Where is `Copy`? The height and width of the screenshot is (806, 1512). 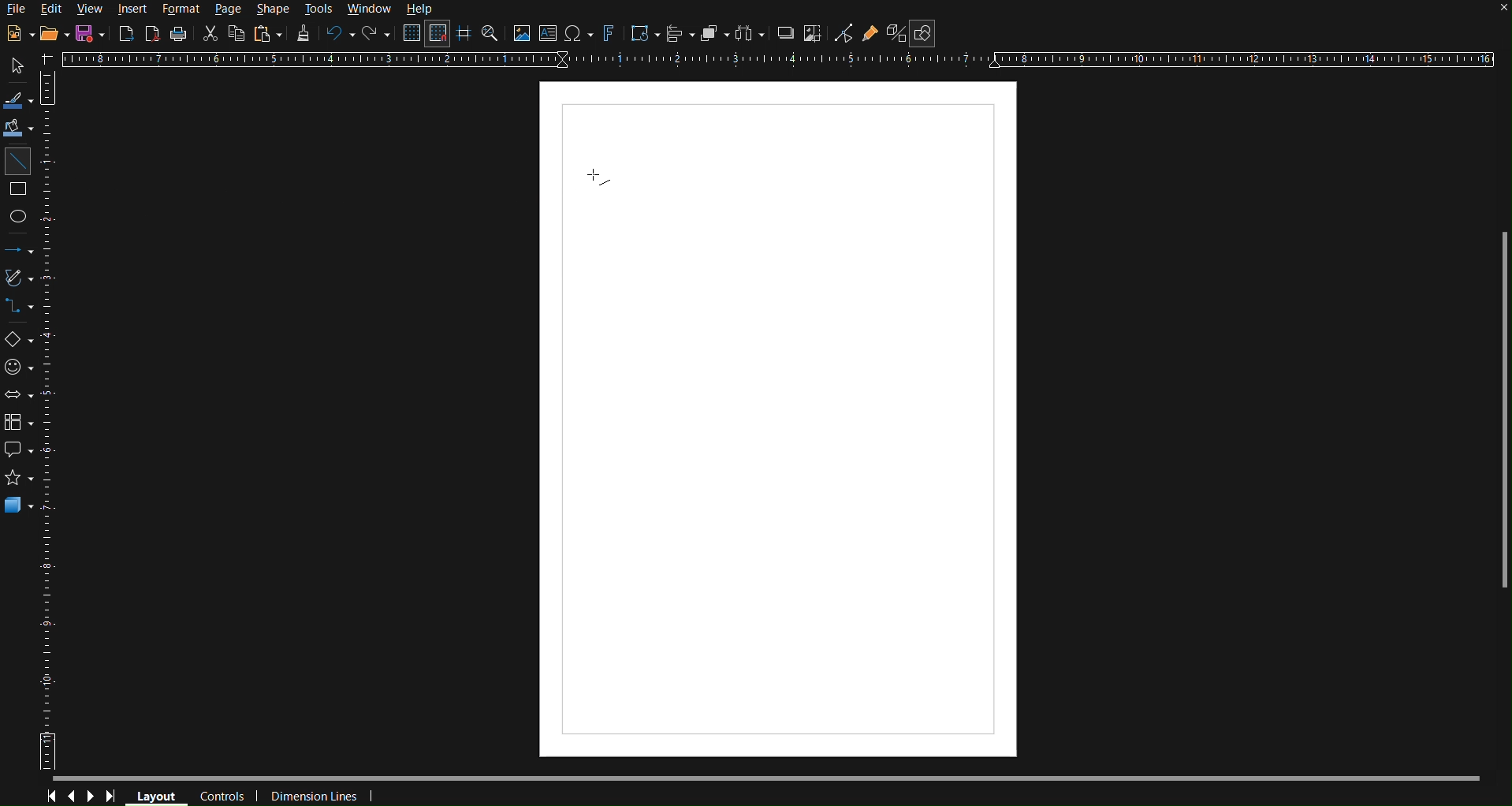
Copy is located at coordinates (235, 34).